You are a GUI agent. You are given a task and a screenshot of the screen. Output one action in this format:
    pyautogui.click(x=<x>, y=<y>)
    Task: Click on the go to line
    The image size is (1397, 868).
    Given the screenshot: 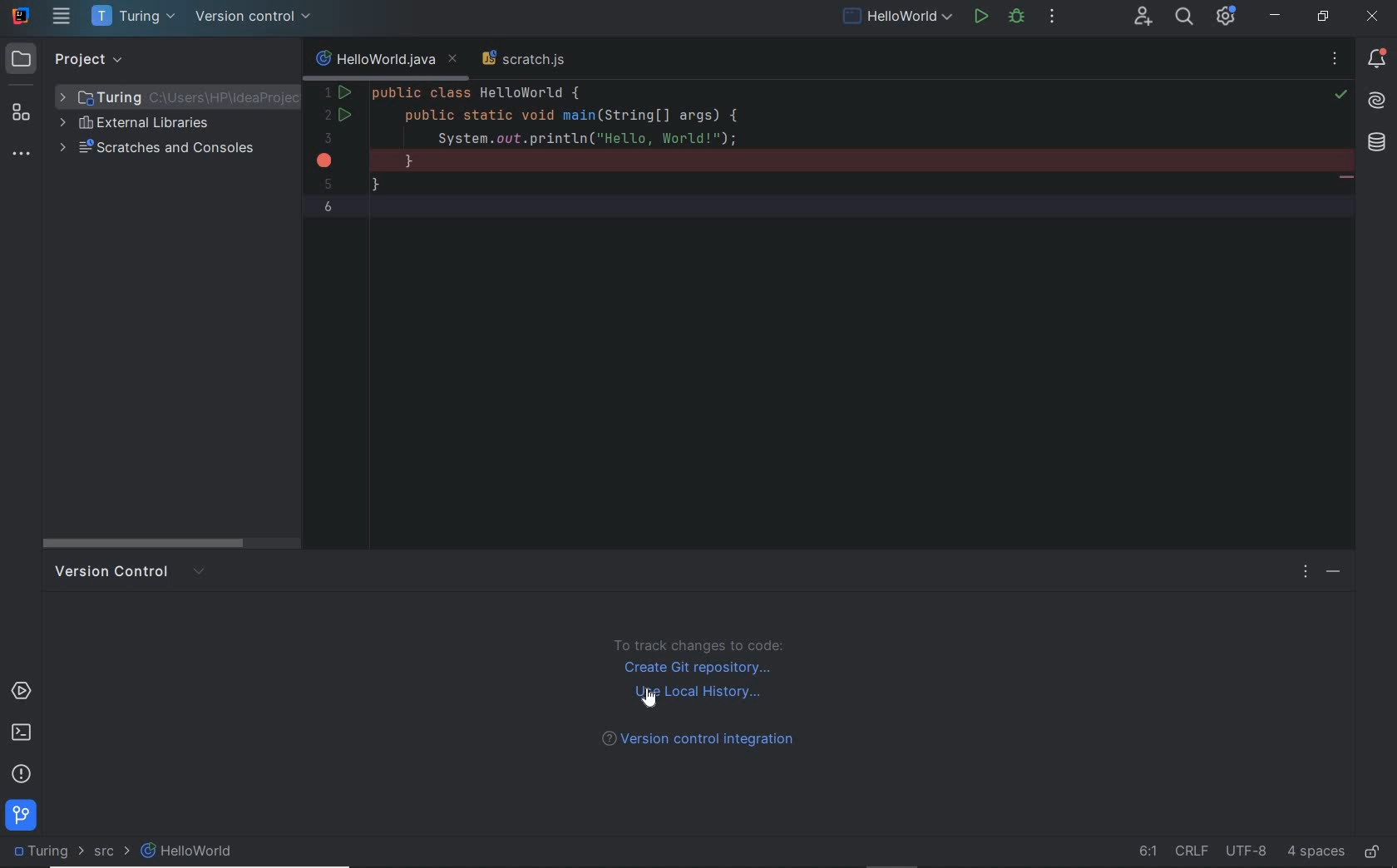 What is the action you would take?
    pyautogui.click(x=1149, y=850)
    